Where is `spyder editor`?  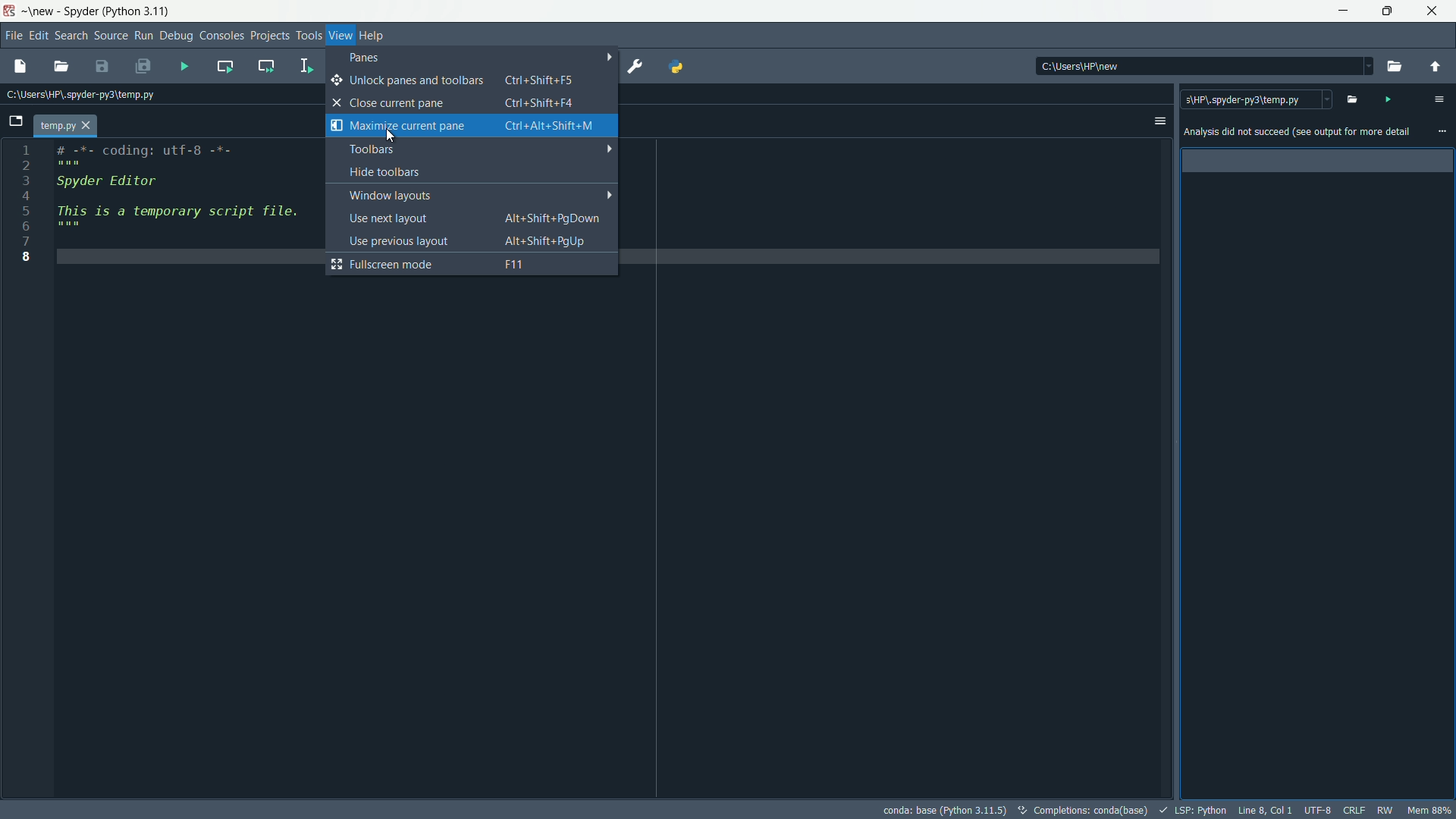
spyder editor is located at coordinates (111, 185).